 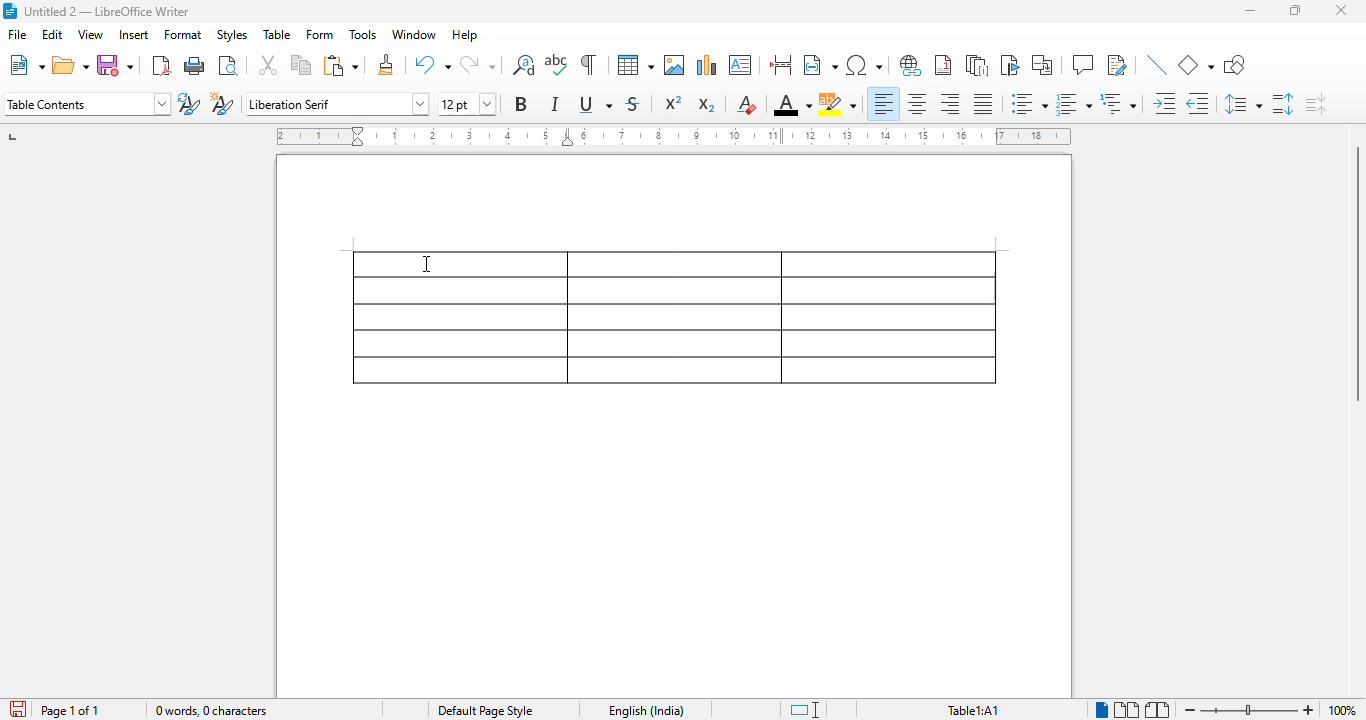 What do you see at coordinates (943, 65) in the screenshot?
I see `insert footnote` at bounding box center [943, 65].